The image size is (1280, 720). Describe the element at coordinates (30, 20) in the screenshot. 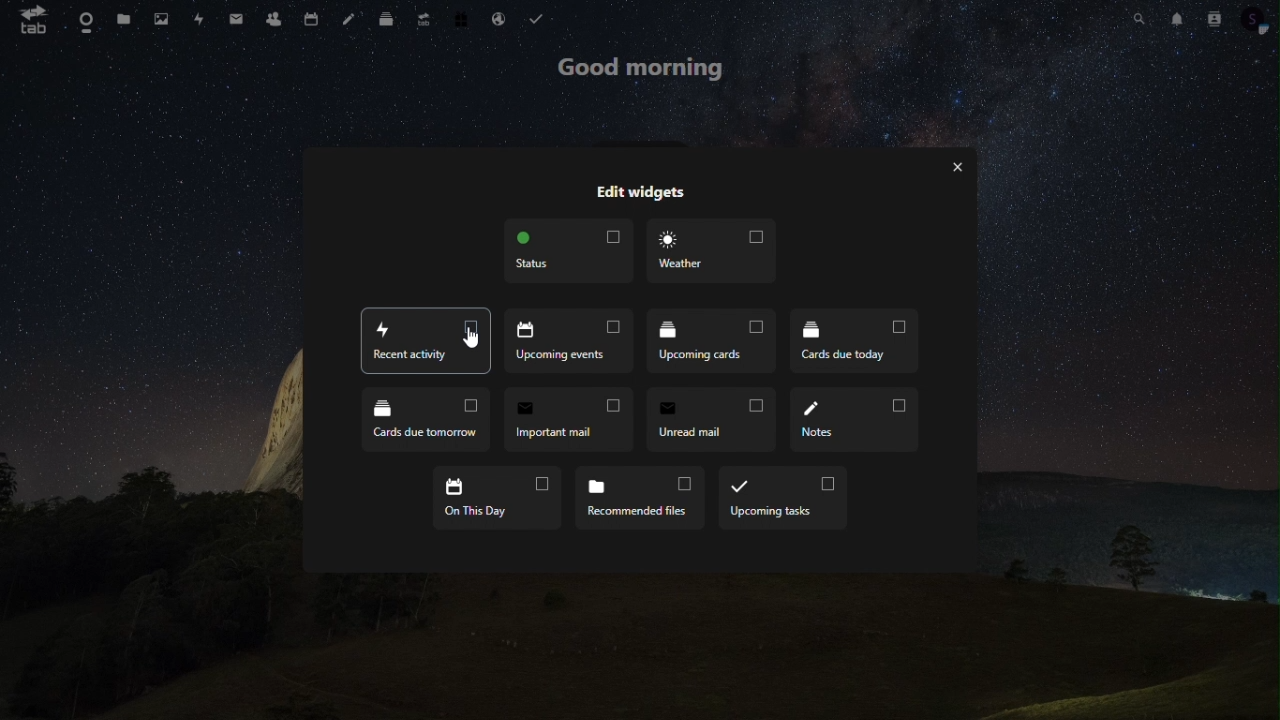

I see `tab` at that location.